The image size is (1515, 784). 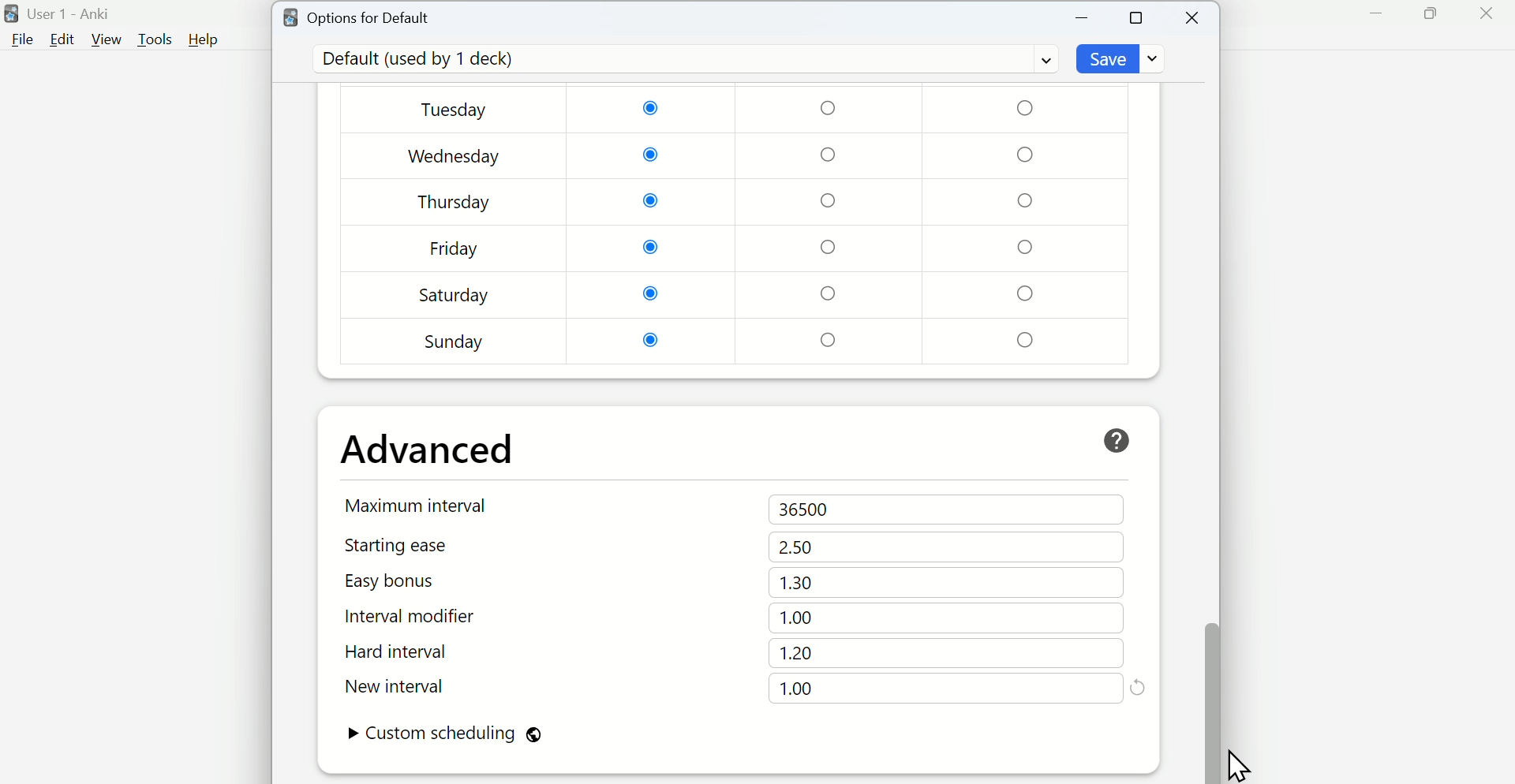 I want to click on View, so click(x=107, y=39).